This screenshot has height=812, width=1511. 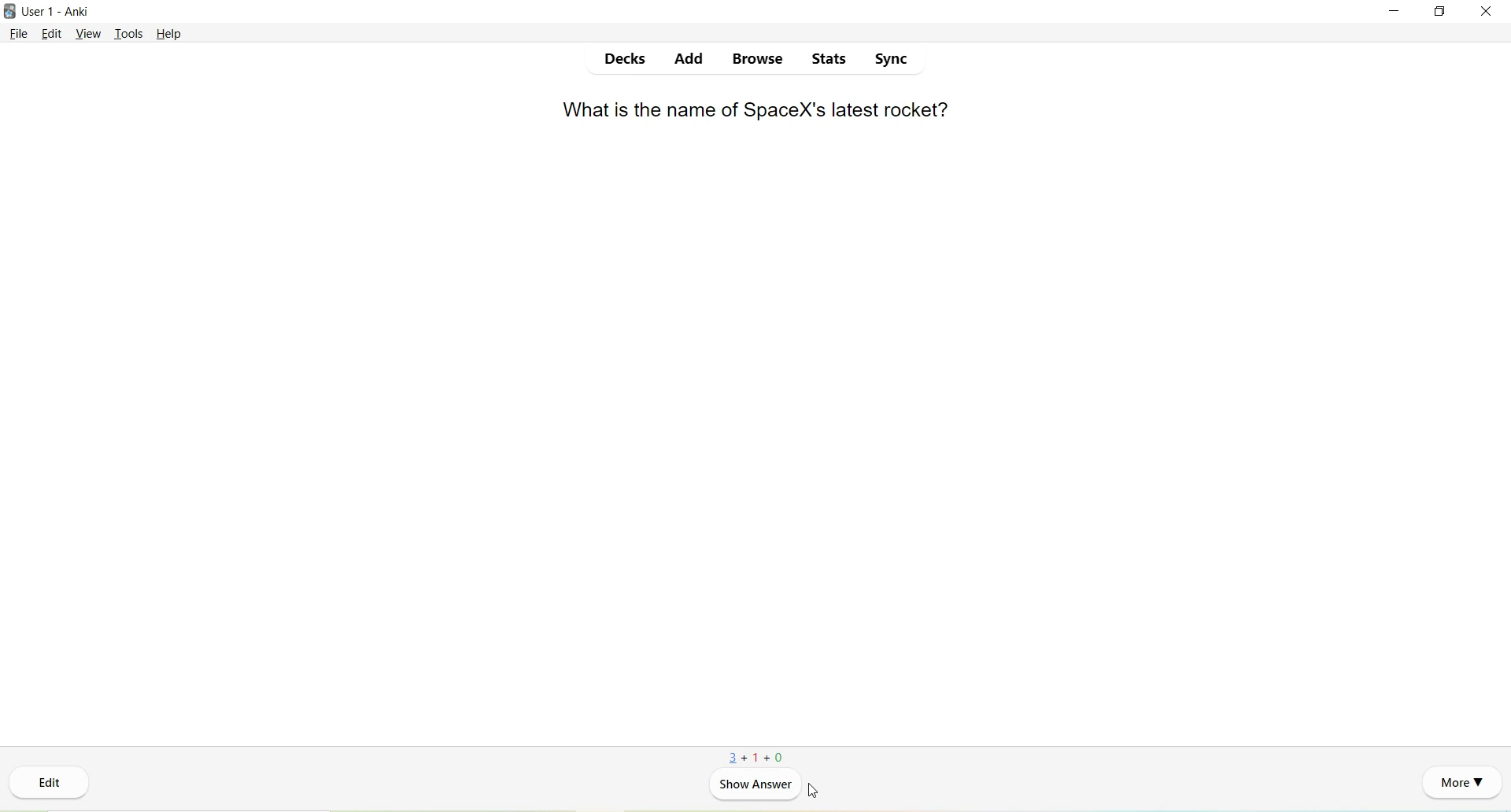 What do you see at coordinates (1461, 784) in the screenshot?
I see `More` at bounding box center [1461, 784].